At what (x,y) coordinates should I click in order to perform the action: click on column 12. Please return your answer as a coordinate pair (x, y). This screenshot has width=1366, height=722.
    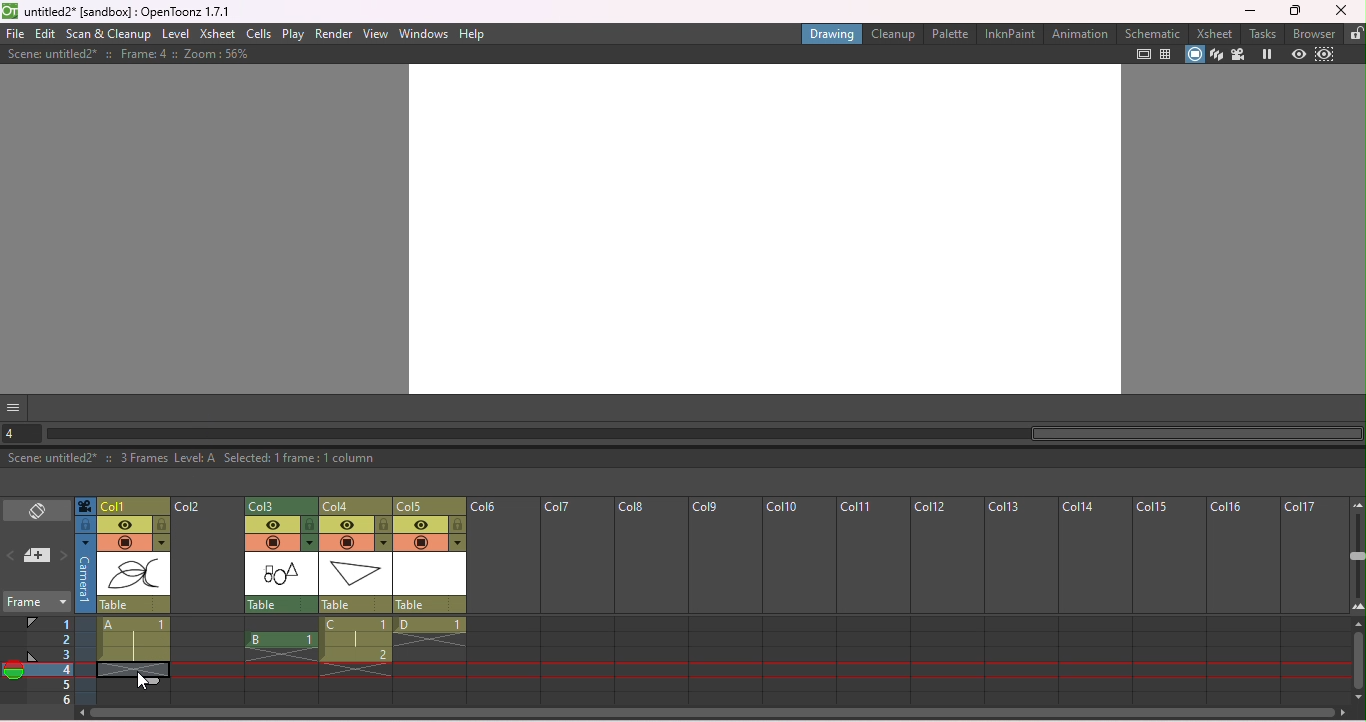
    Looking at the image, I should click on (945, 601).